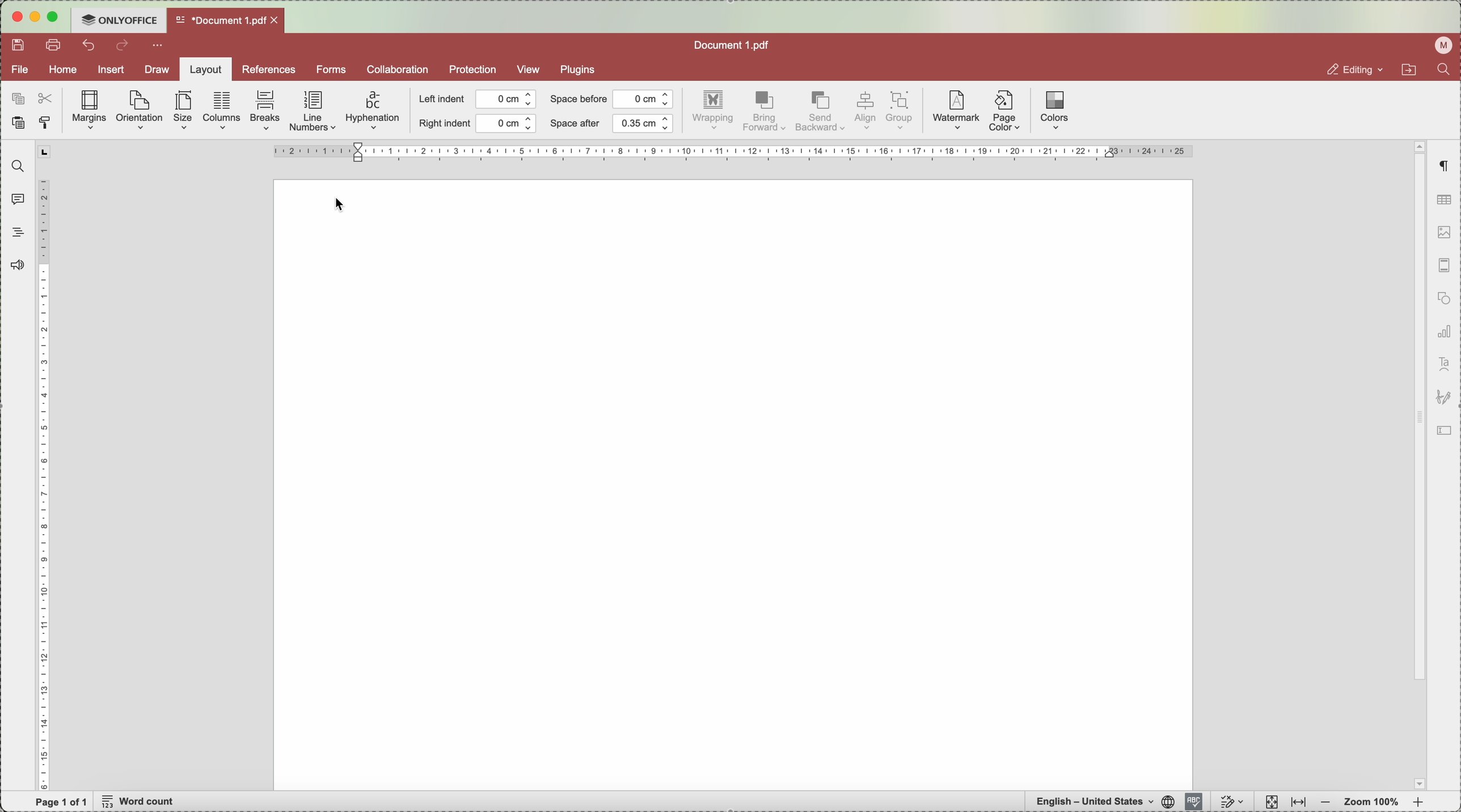 The width and height of the screenshot is (1461, 812). What do you see at coordinates (1325, 803) in the screenshot?
I see `zoom out` at bounding box center [1325, 803].